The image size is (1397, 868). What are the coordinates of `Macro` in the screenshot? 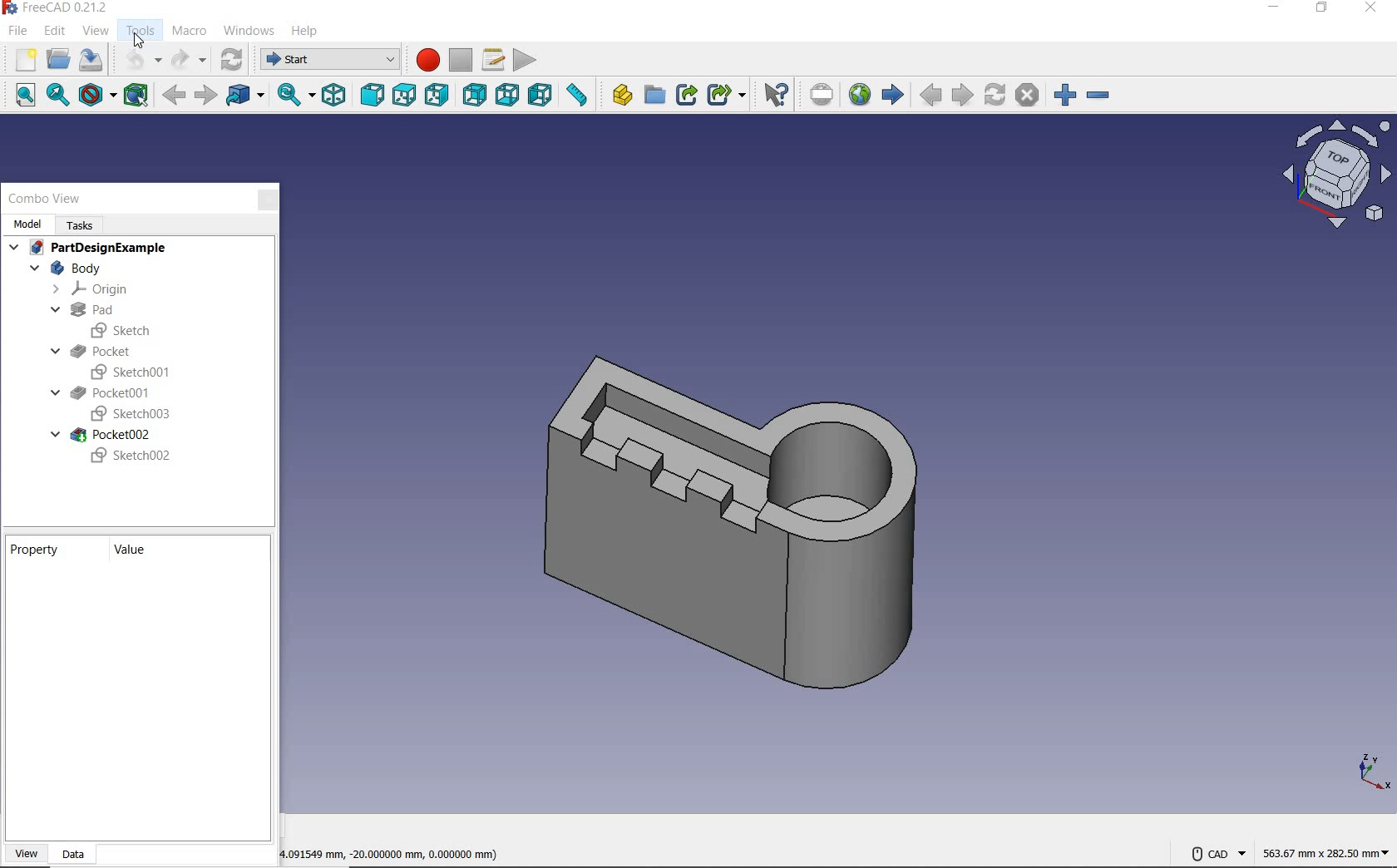 It's located at (189, 28).